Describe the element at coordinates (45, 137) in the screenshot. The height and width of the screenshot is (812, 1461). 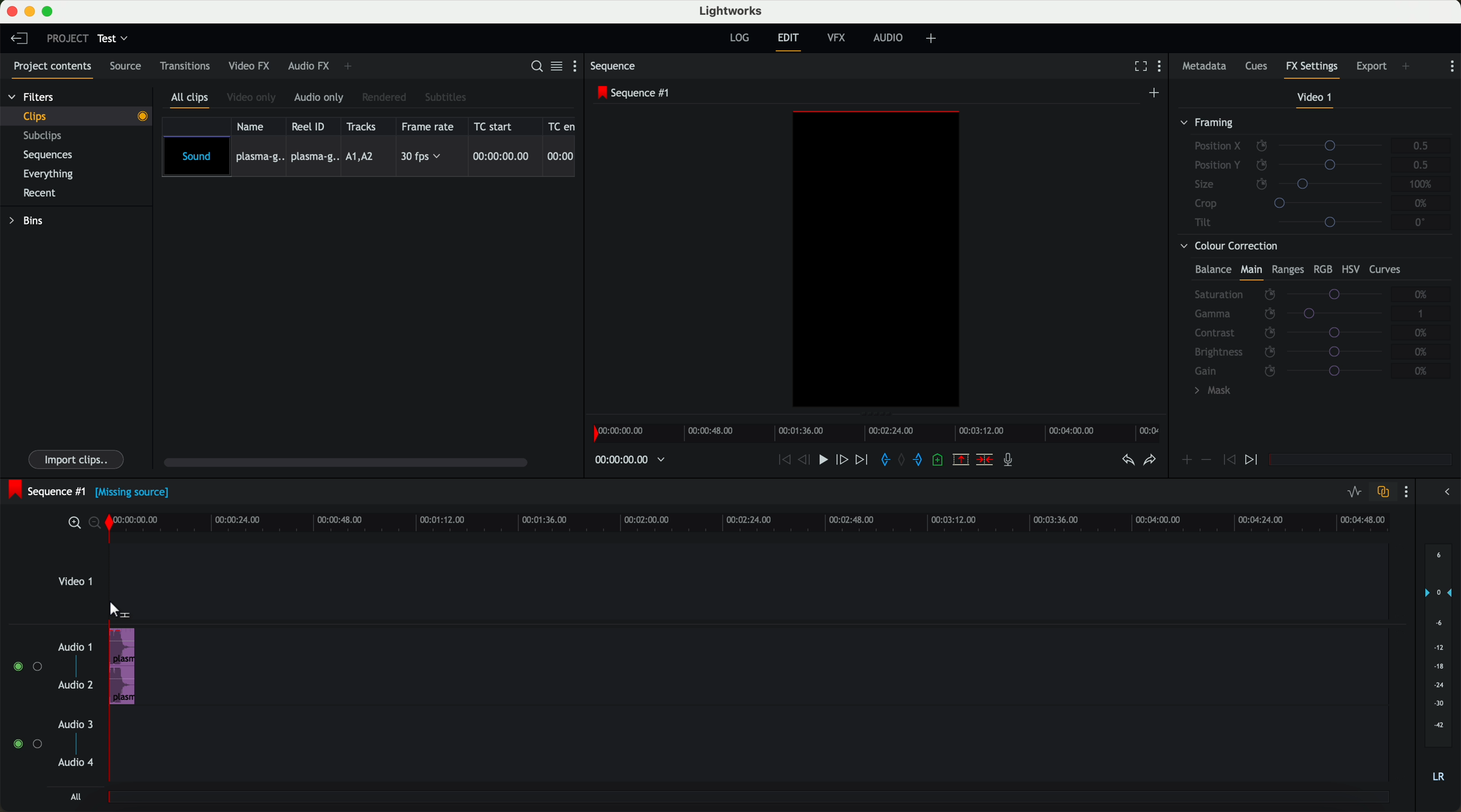
I see `subclips` at that location.